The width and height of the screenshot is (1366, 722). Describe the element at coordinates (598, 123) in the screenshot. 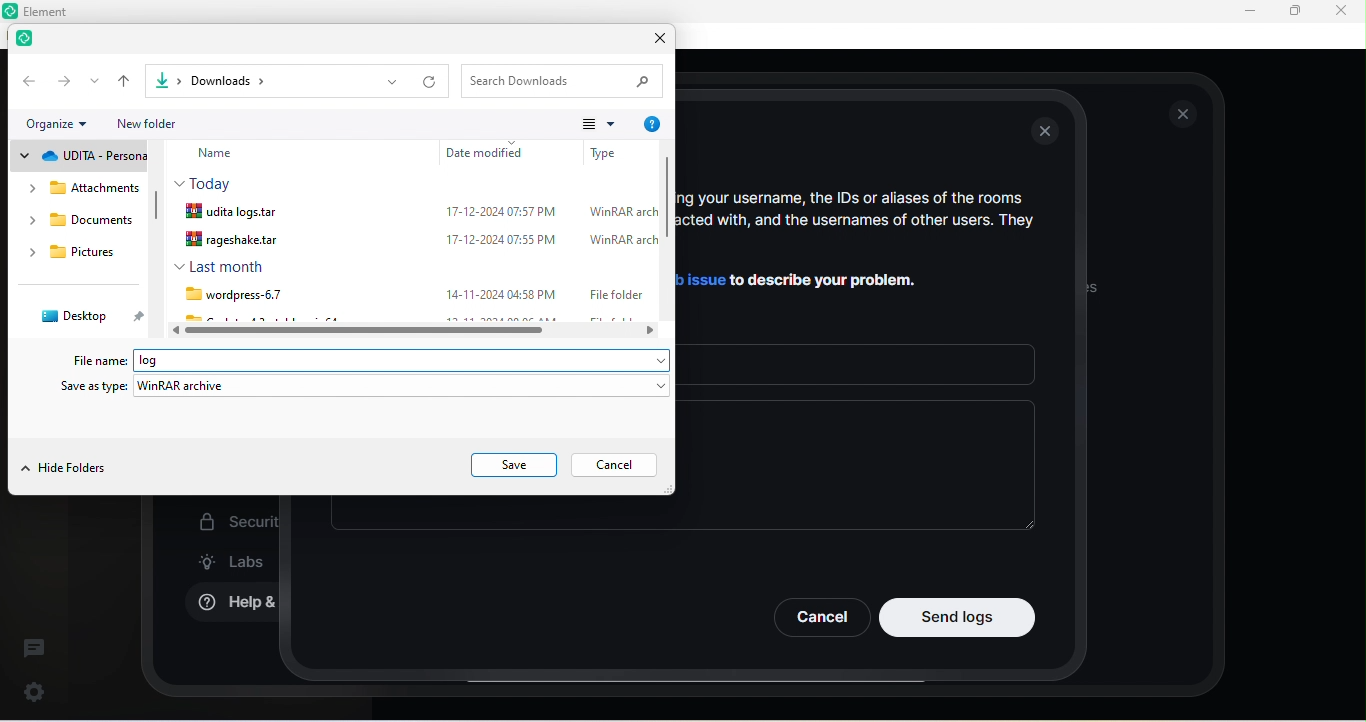

I see `change view` at that location.